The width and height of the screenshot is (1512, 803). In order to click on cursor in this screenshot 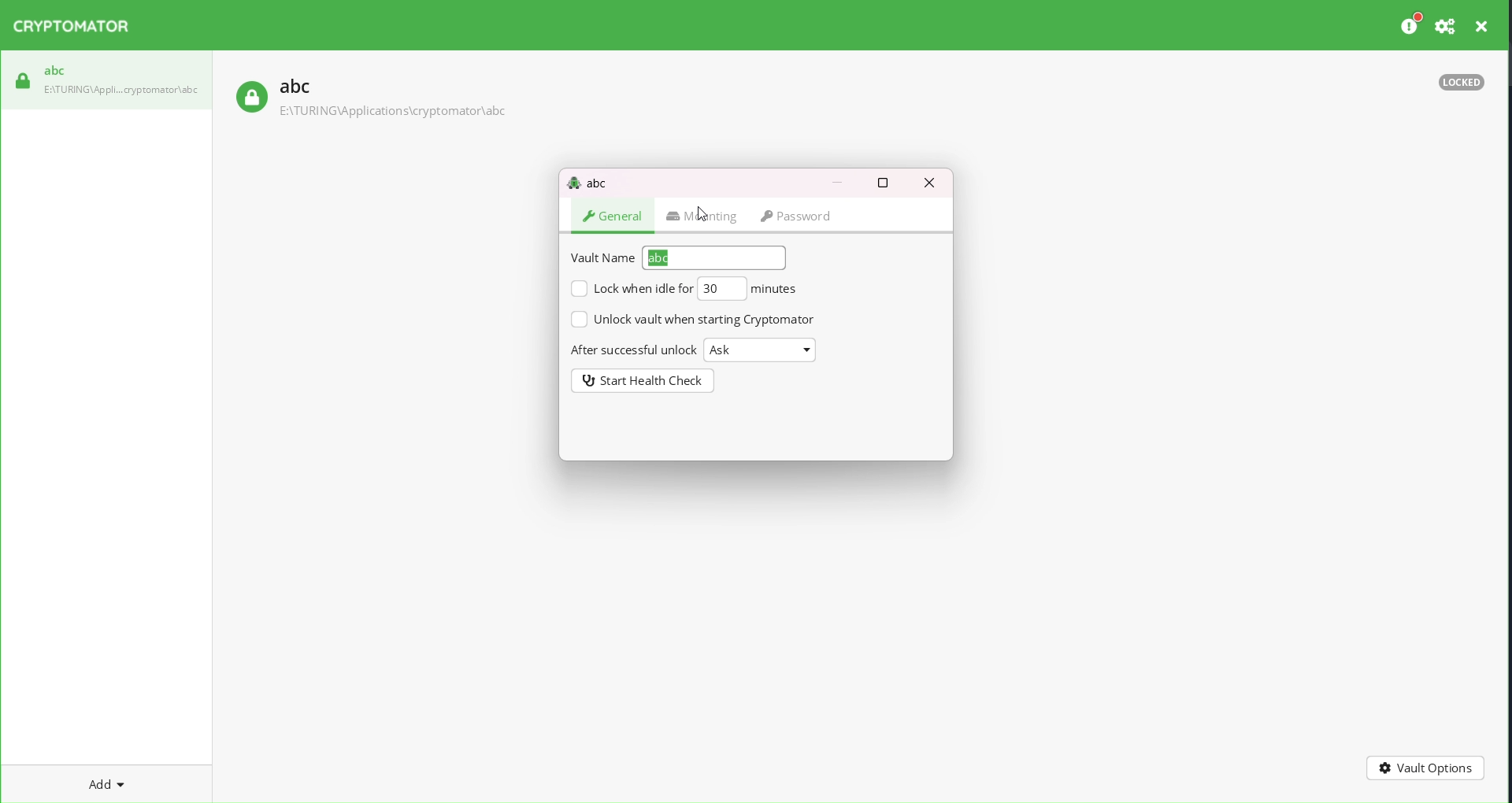, I will do `click(705, 216)`.